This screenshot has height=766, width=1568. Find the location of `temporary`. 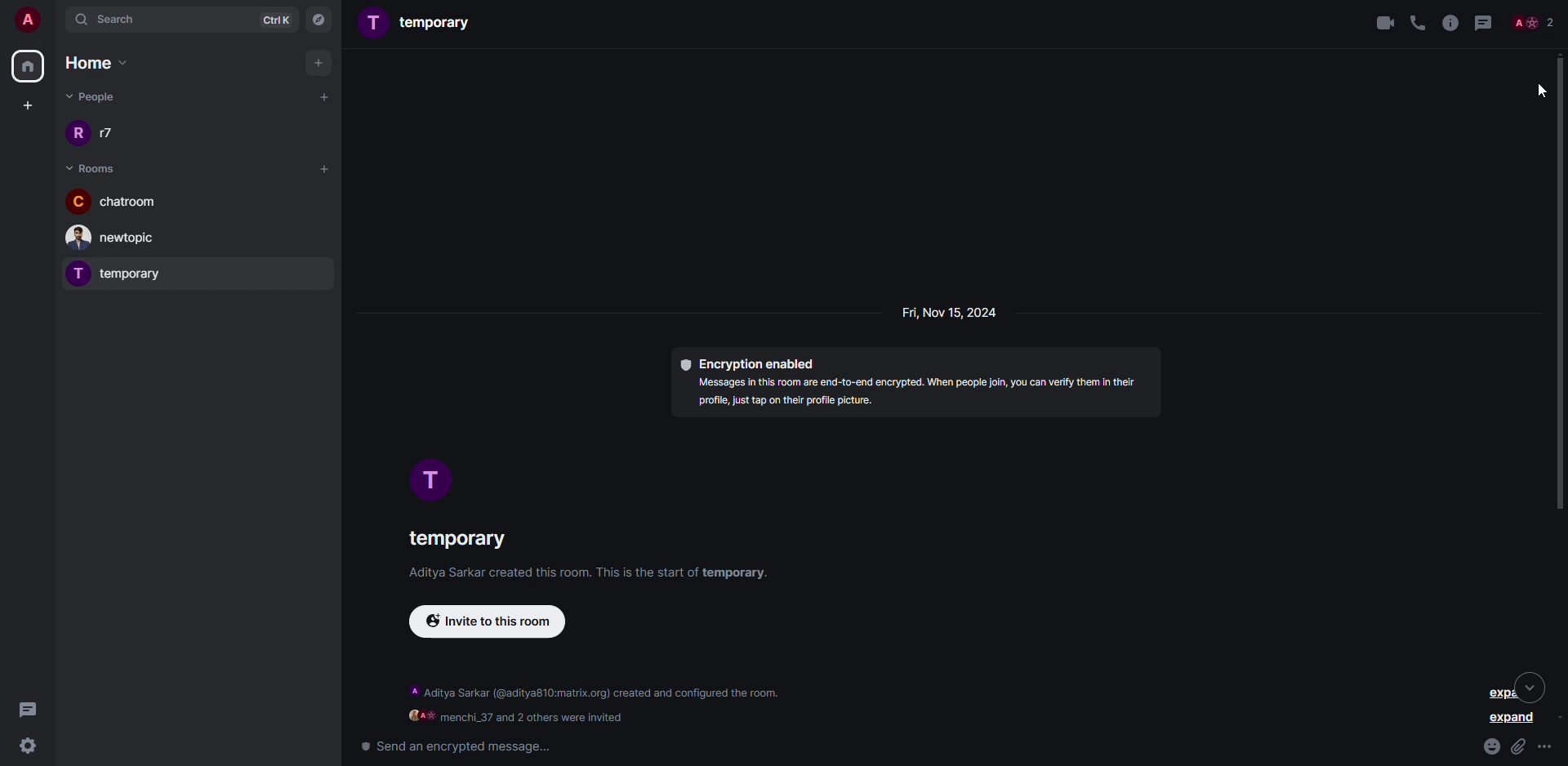

temporary is located at coordinates (456, 539).